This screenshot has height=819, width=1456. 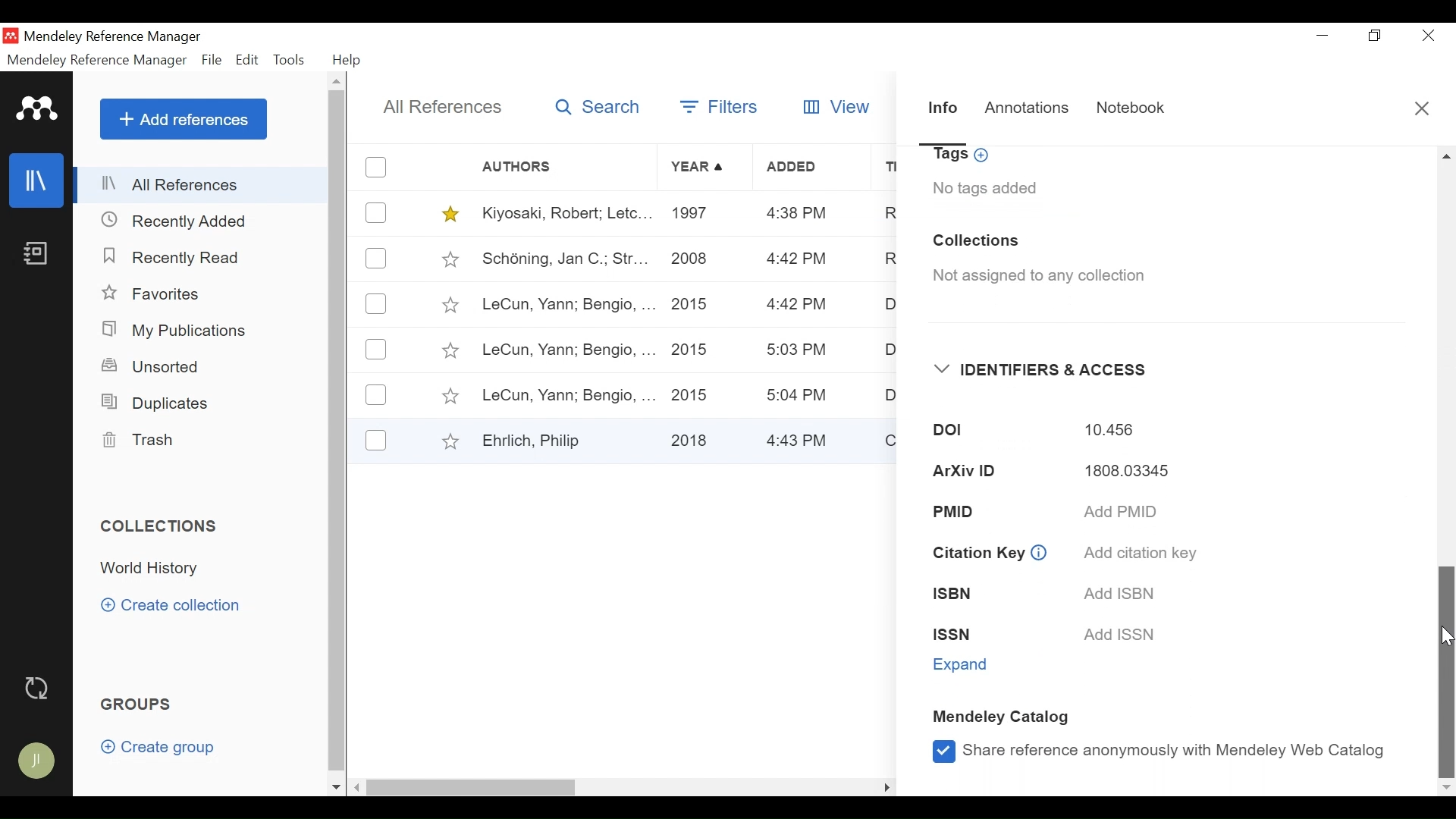 I want to click on 2015, so click(x=695, y=393).